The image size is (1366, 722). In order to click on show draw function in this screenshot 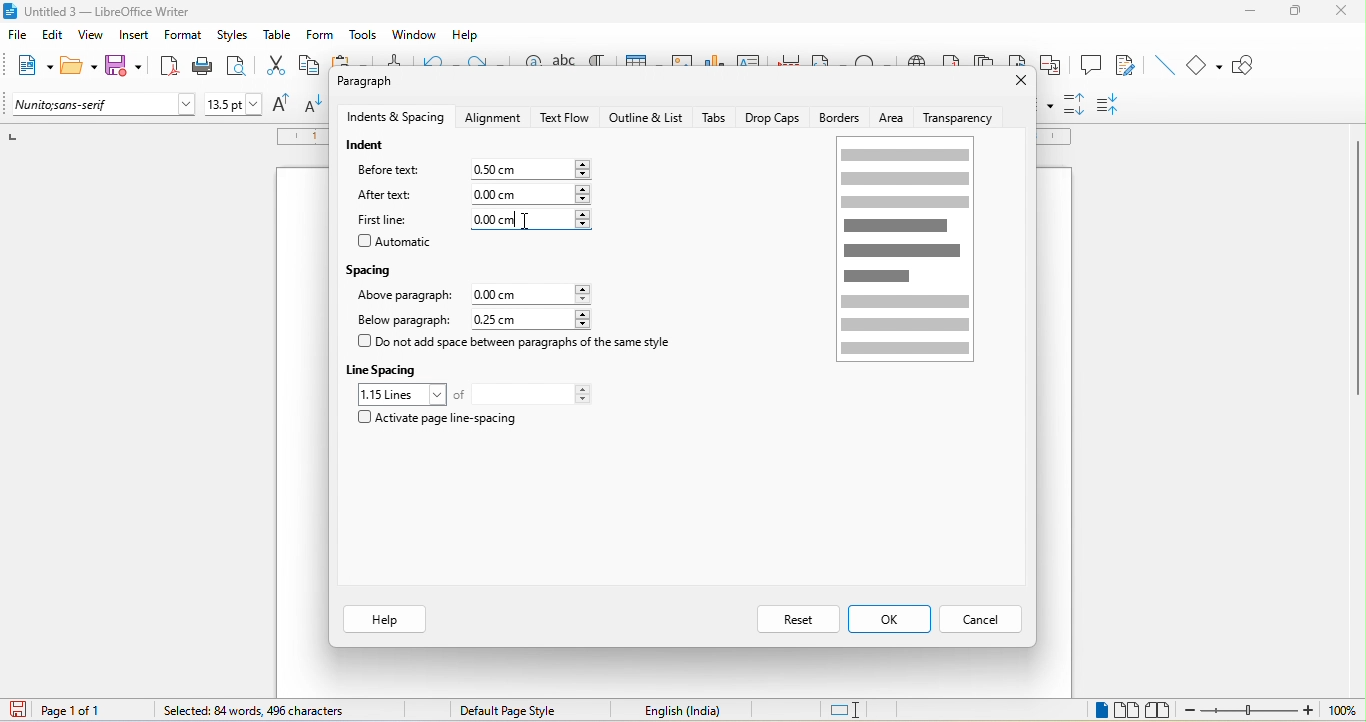, I will do `click(1250, 65)`.